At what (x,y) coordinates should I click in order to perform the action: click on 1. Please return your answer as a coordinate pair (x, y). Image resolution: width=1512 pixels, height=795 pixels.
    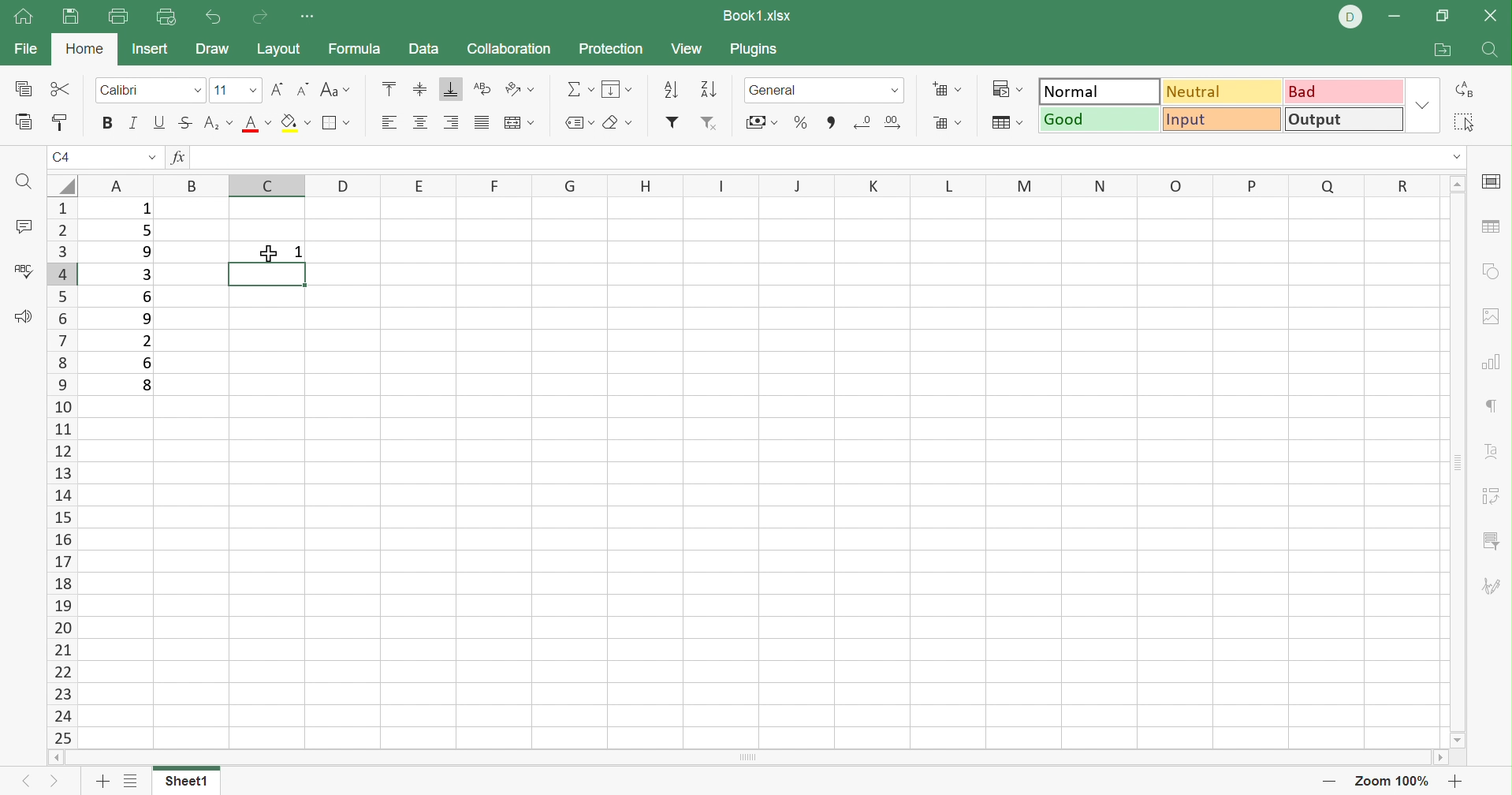
    Looking at the image, I should click on (143, 211).